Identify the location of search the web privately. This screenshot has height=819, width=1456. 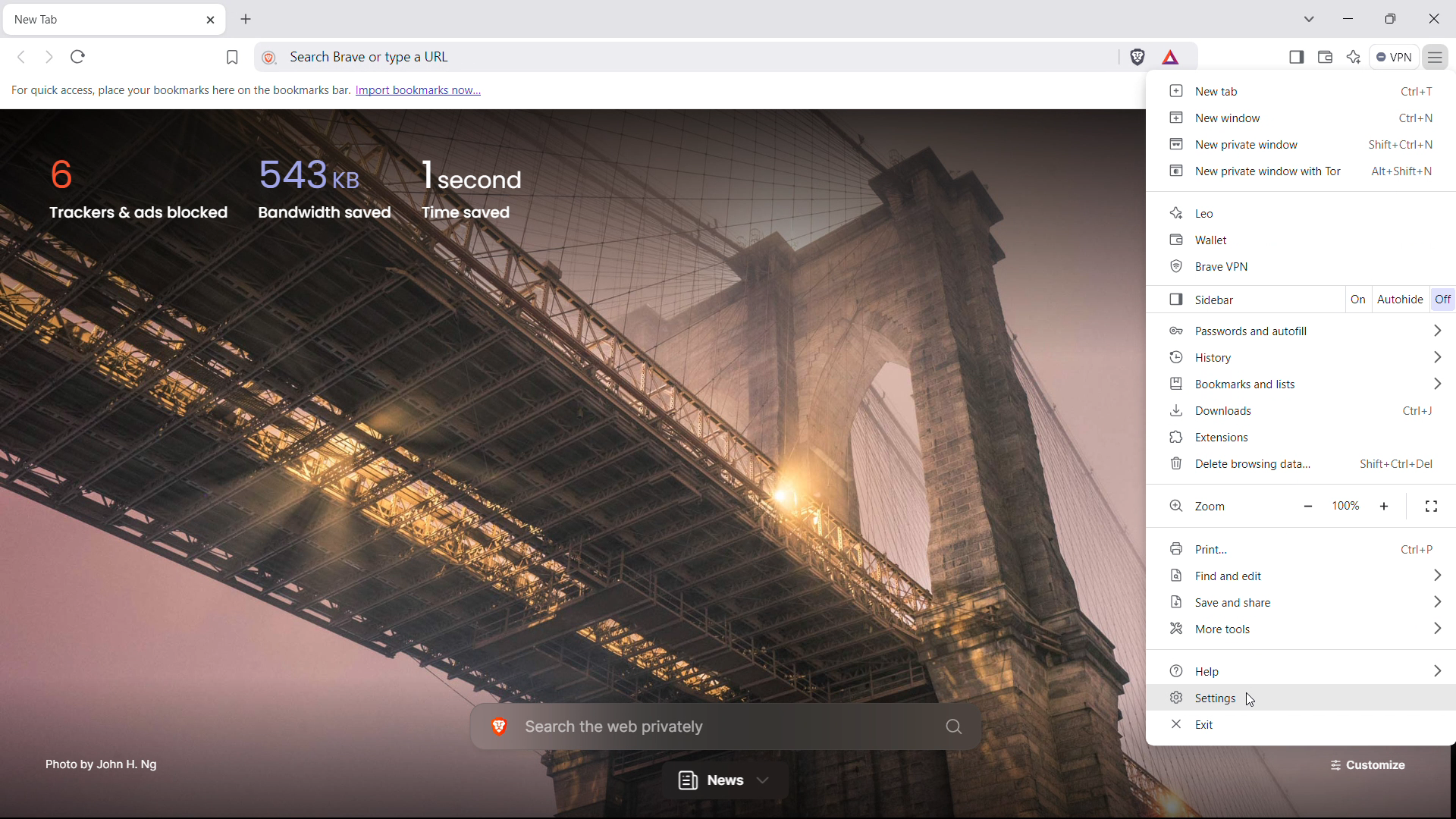
(725, 726).